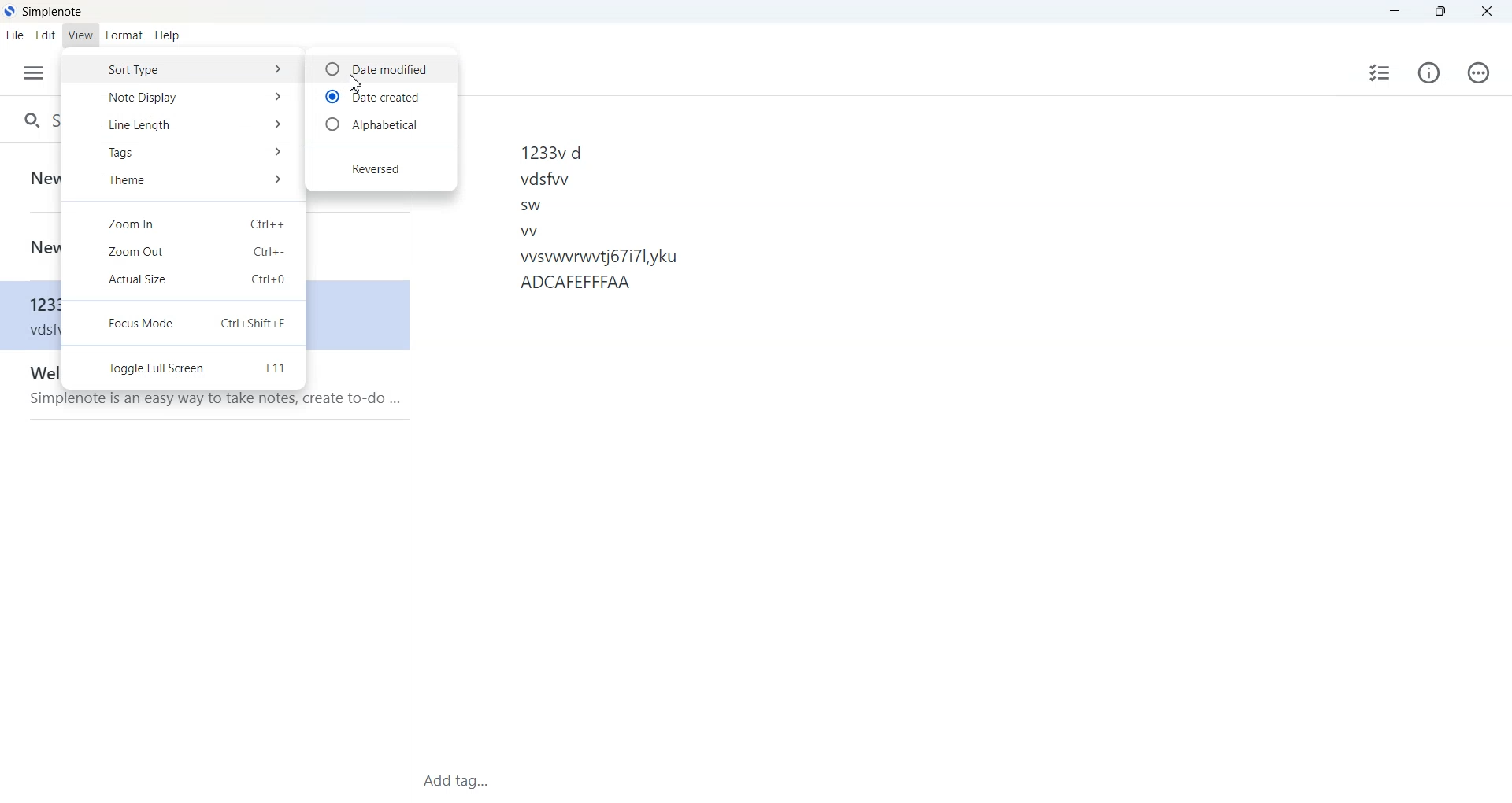  What do you see at coordinates (1485, 12) in the screenshot?
I see `Close` at bounding box center [1485, 12].